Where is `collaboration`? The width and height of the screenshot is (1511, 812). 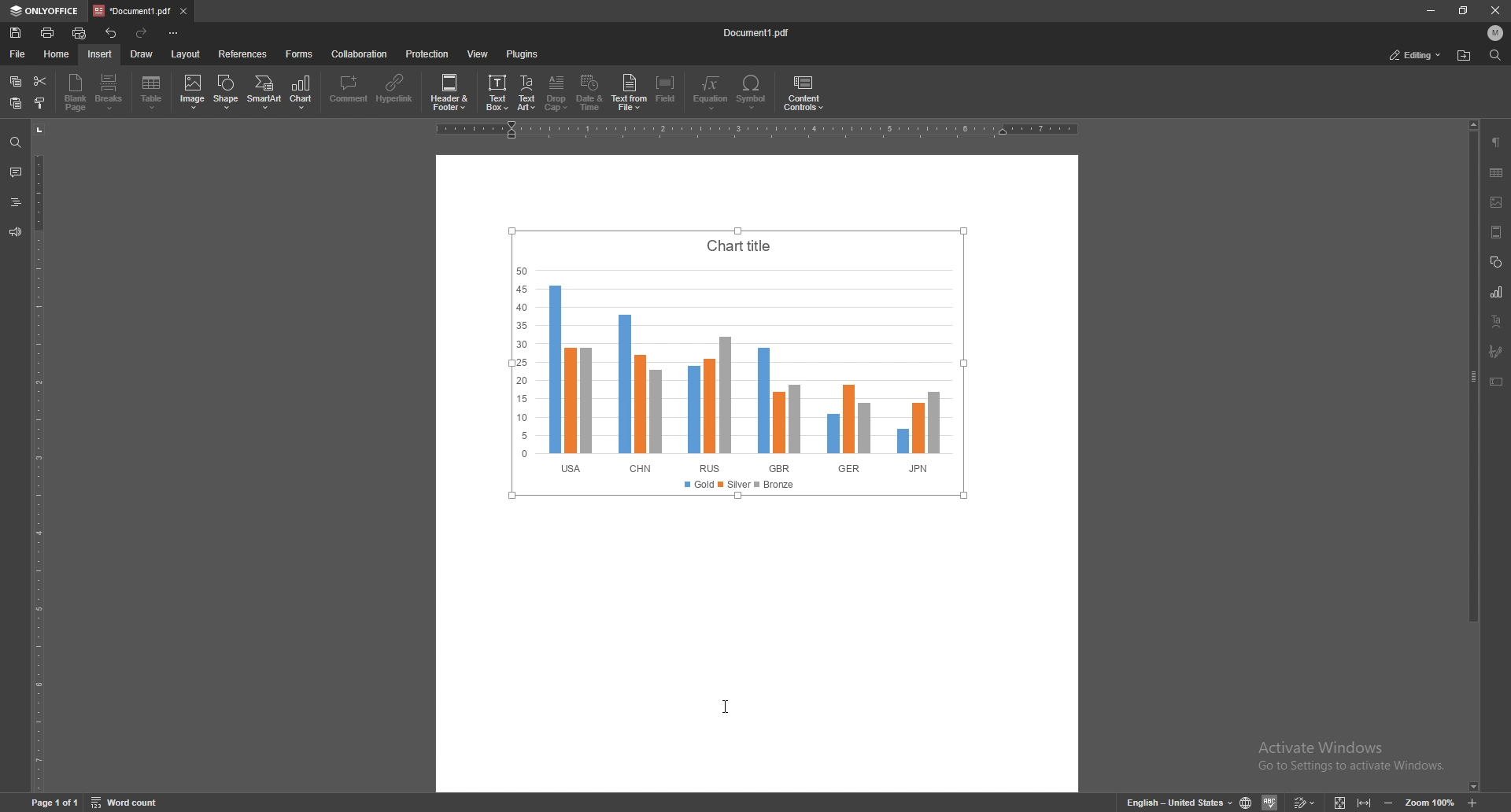 collaboration is located at coordinates (361, 54).